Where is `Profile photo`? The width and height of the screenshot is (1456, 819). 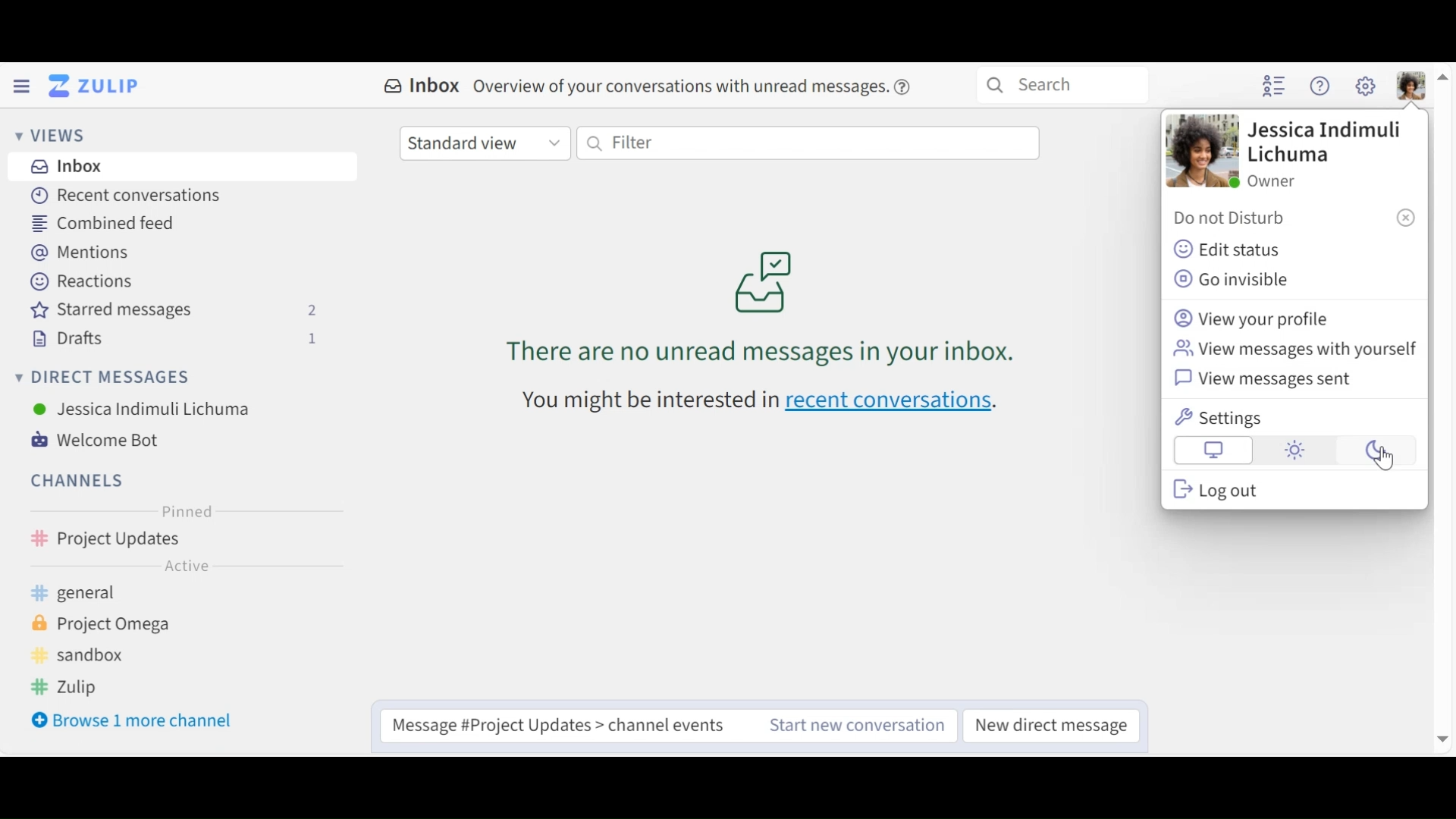 Profile photo is located at coordinates (1200, 152).